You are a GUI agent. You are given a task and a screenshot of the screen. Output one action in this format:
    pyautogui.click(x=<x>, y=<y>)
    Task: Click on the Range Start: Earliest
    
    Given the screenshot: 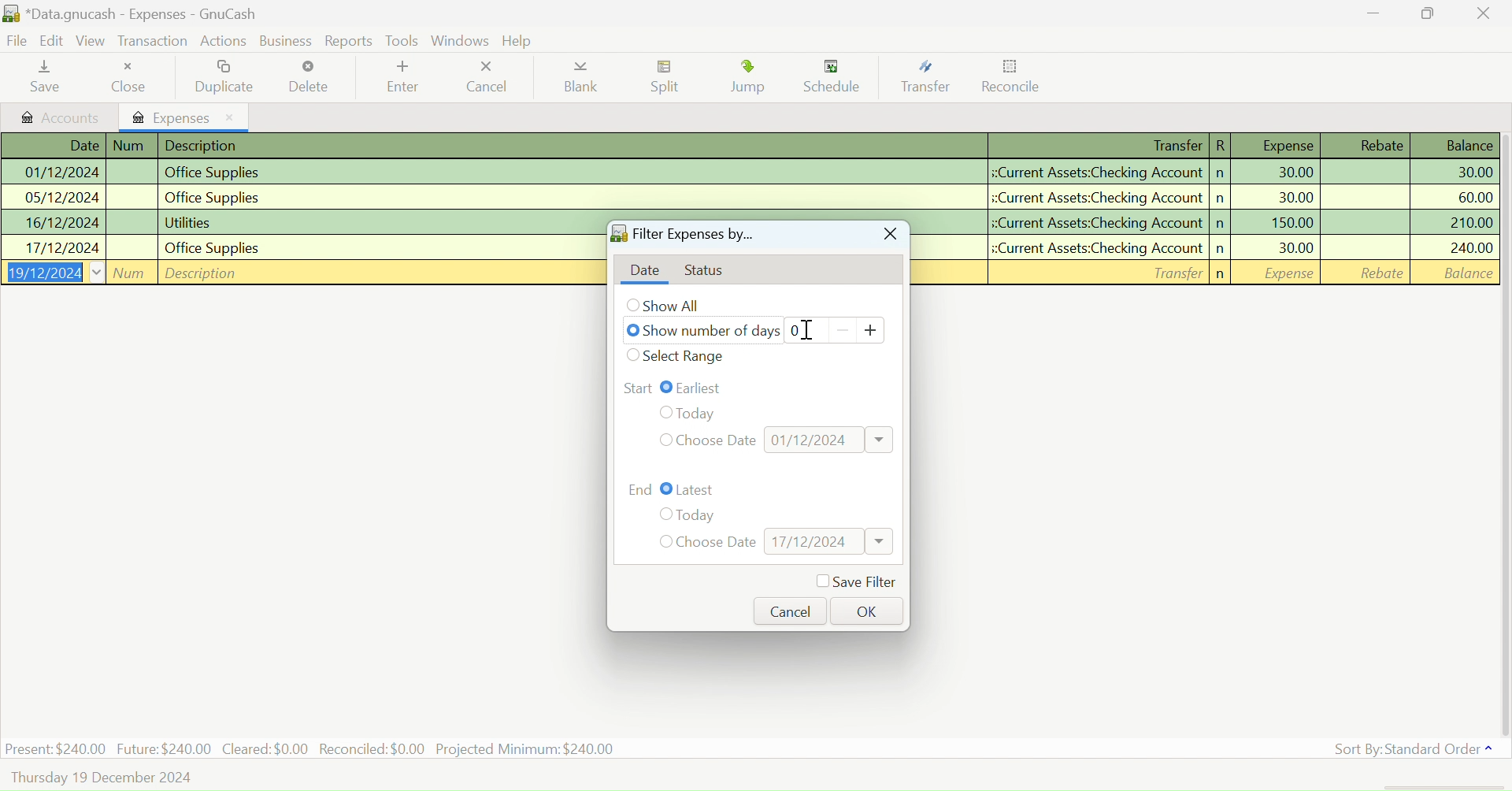 What is the action you would take?
    pyautogui.click(x=637, y=387)
    